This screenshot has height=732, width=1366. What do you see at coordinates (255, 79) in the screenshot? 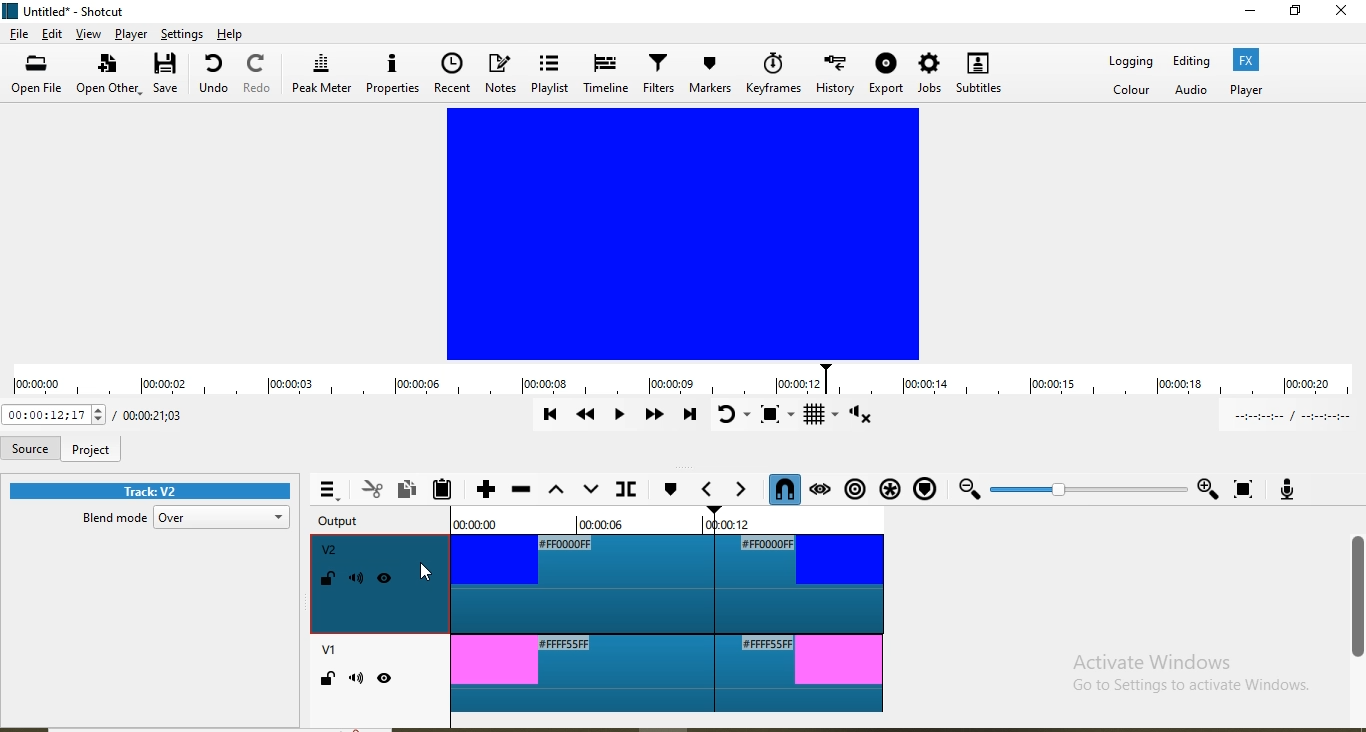
I see `Redo` at bounding box center [255, 79].